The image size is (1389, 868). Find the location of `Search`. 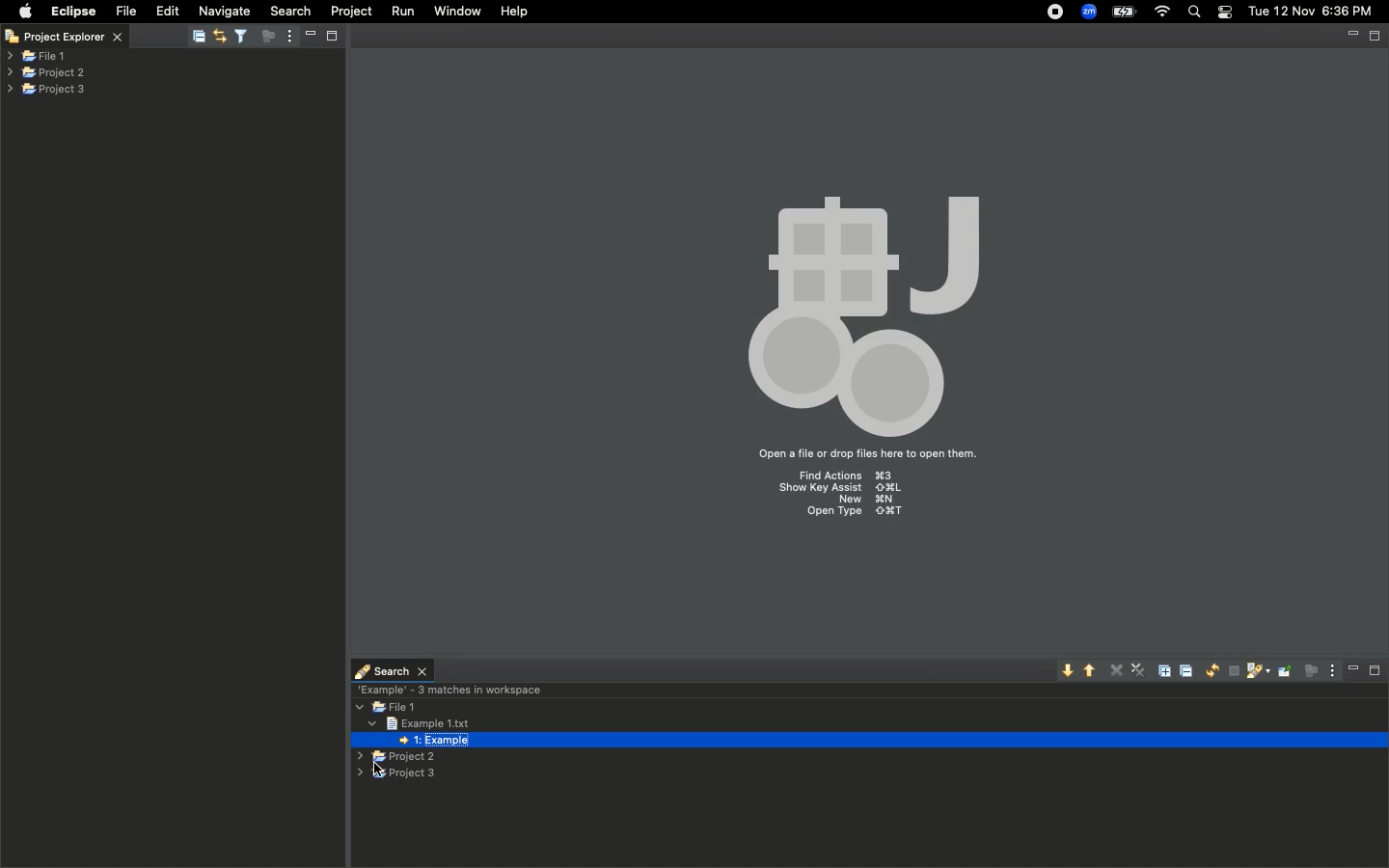

Search is located at coordinates (1195, 14).